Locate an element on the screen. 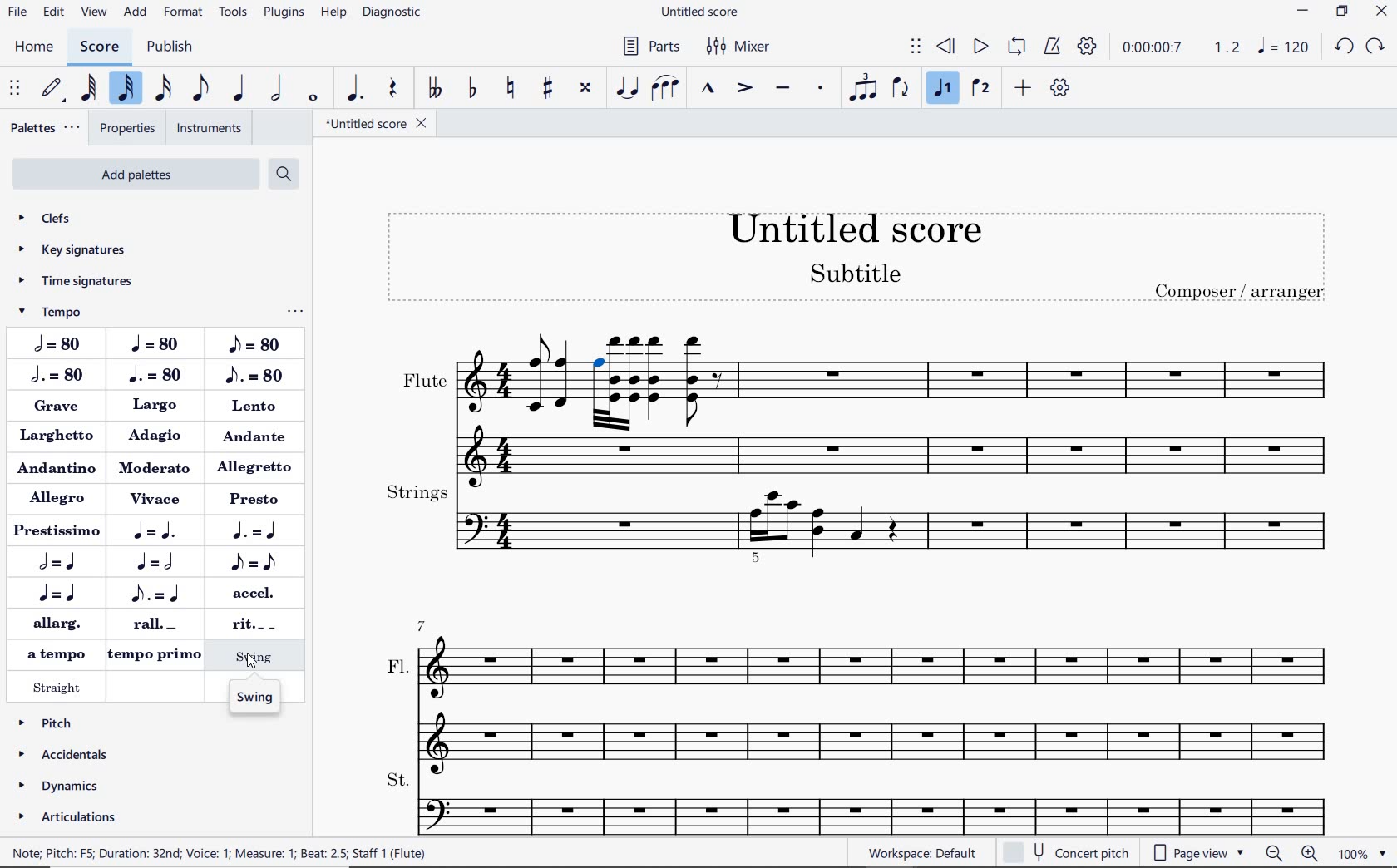 The height and width of the screenshot is (868, 1397). MIXER is located at coordinates (744, 49).